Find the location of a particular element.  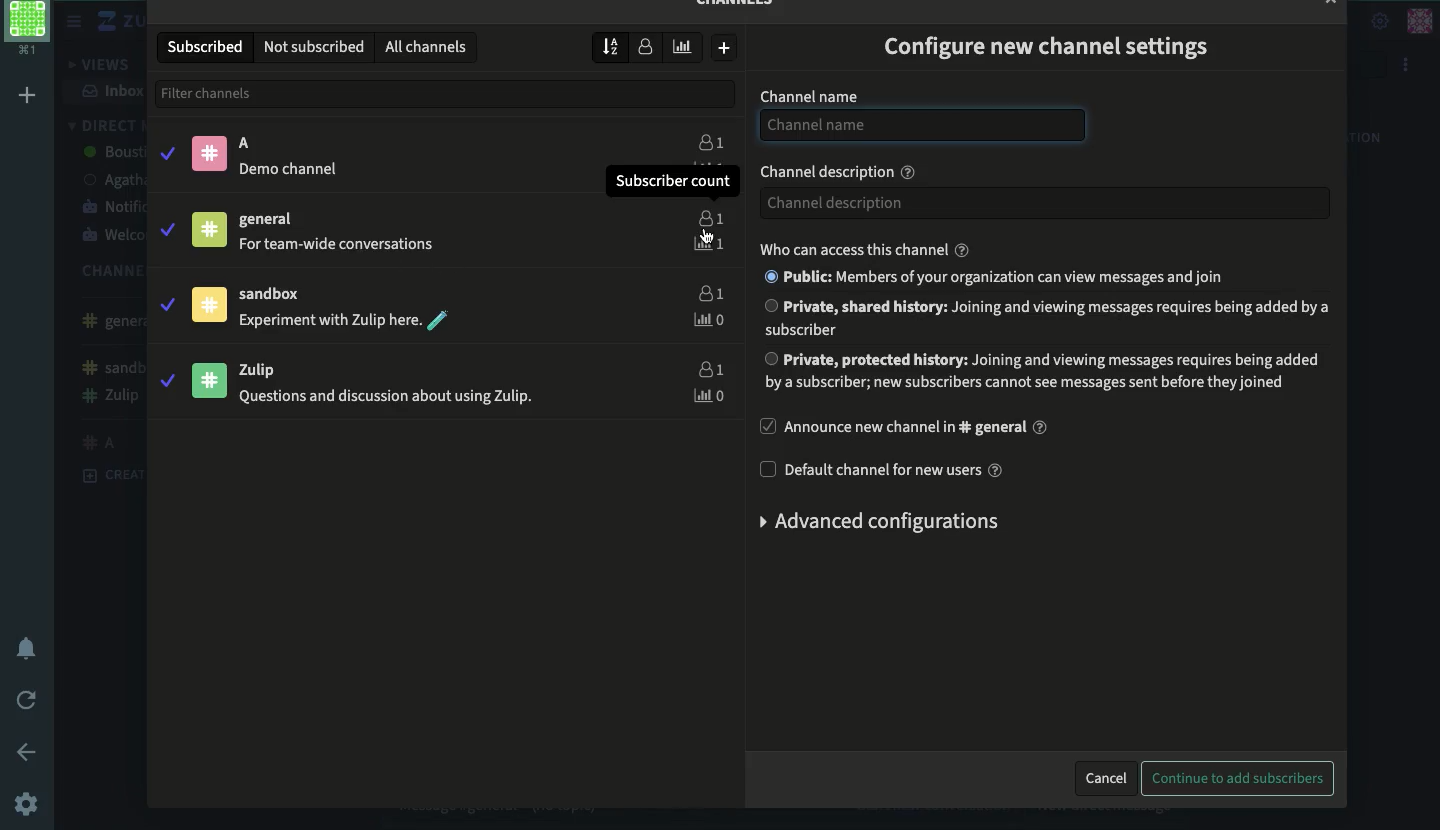

advanced configurations is located at coordinates (887, 523).